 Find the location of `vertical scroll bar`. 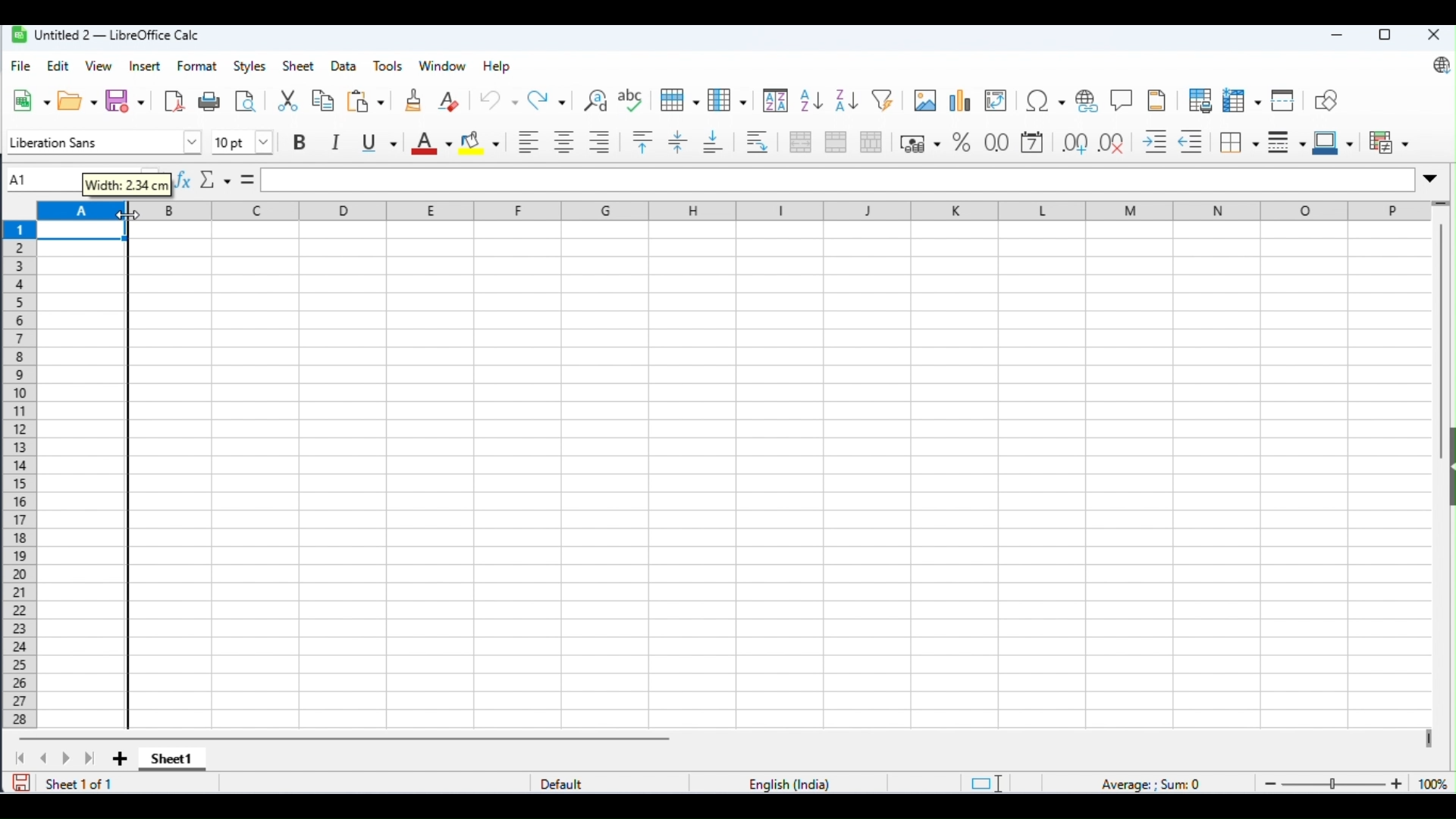

vertical scroll bar is located at coordinates (1444, 347).